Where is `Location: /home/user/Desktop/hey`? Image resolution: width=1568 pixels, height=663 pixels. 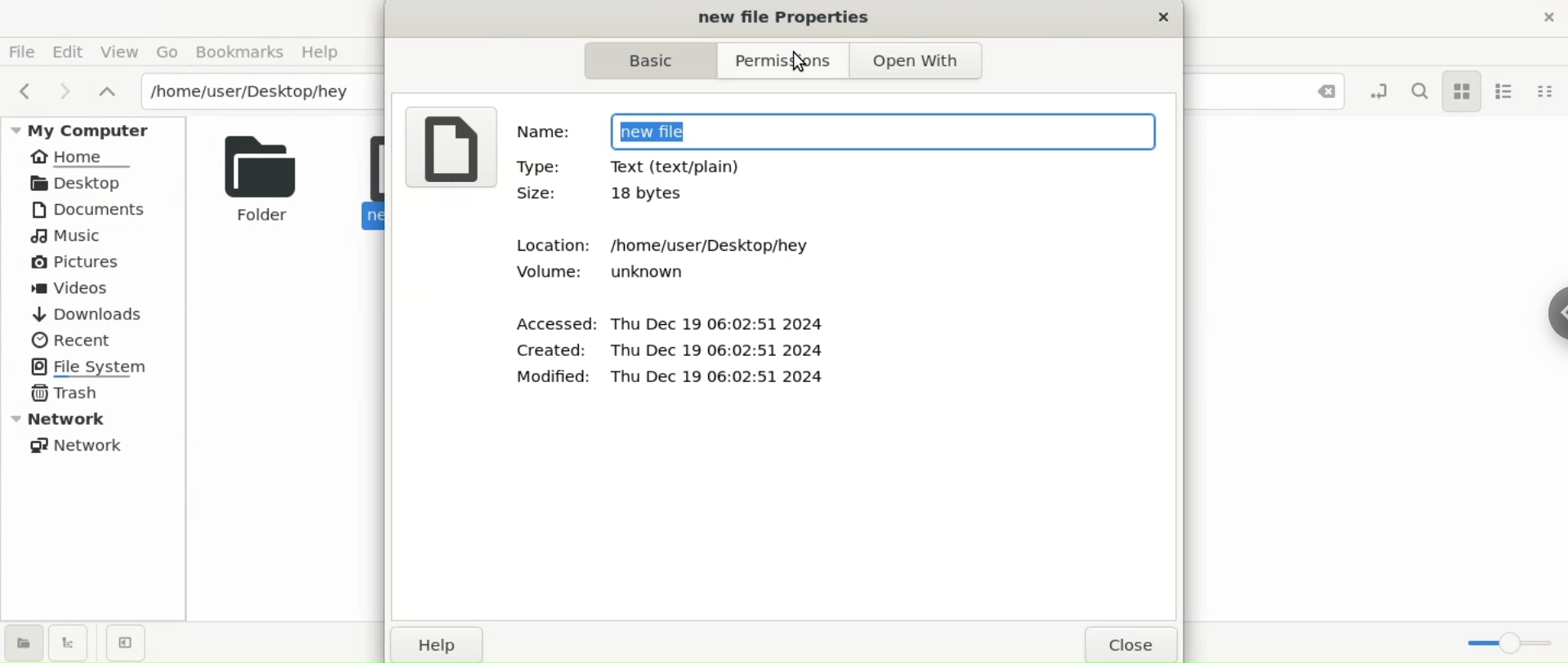
Location: /home/user/Desktop/hey is located at coordinates (682, 242).